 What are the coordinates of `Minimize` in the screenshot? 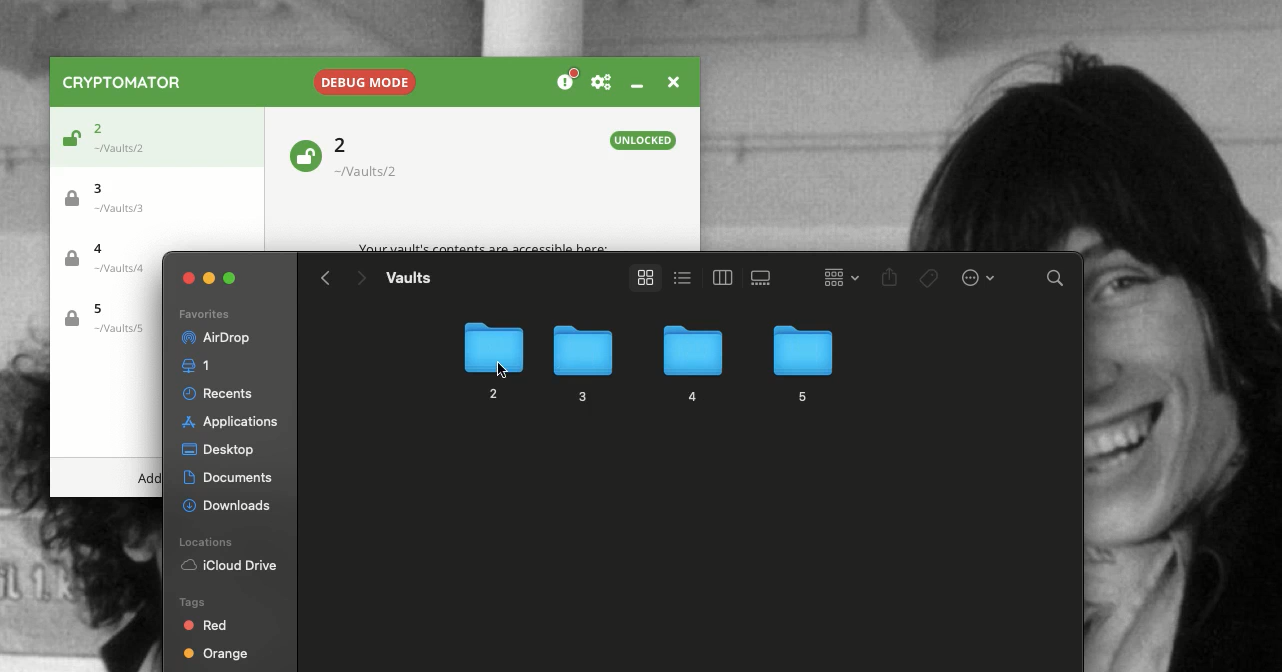 It's located at (210, 276).